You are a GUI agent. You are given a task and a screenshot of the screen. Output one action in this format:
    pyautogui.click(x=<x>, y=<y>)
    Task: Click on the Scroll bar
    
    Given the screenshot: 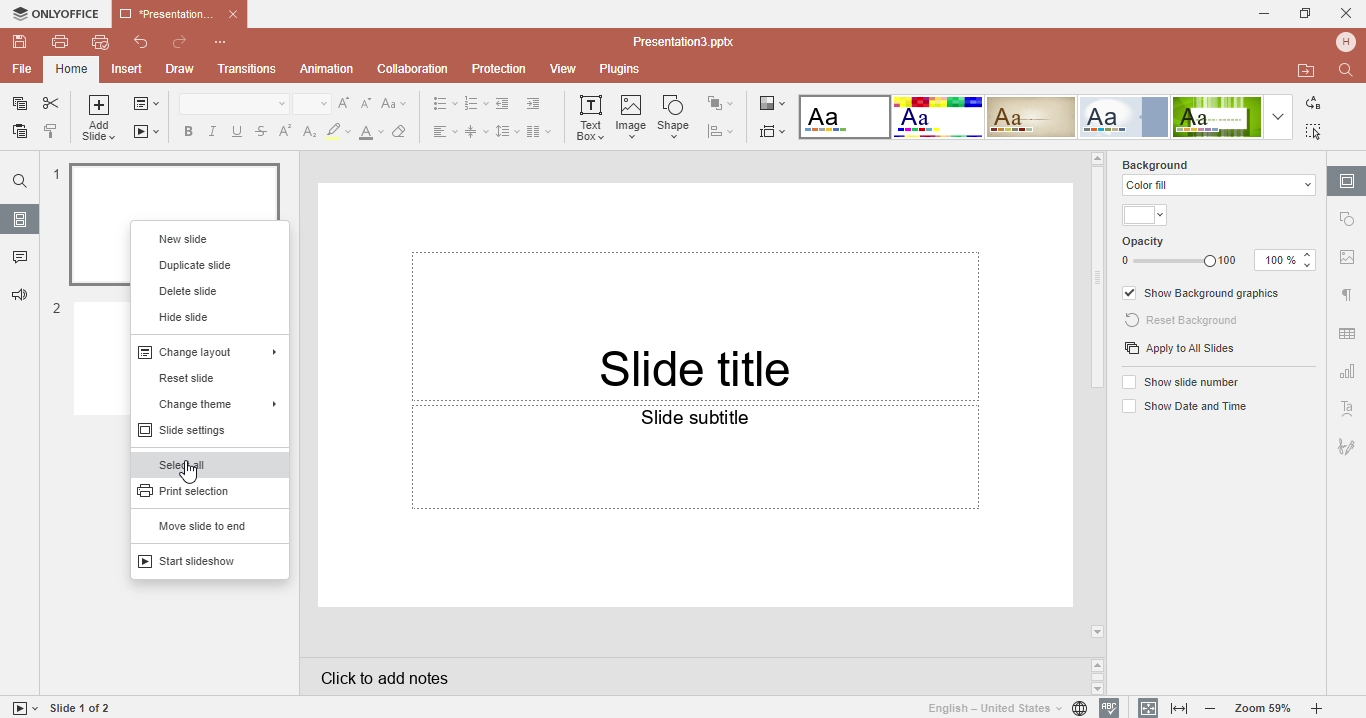 What is the action you would take?
    pyautogui.click(x=1099, y=281)
    